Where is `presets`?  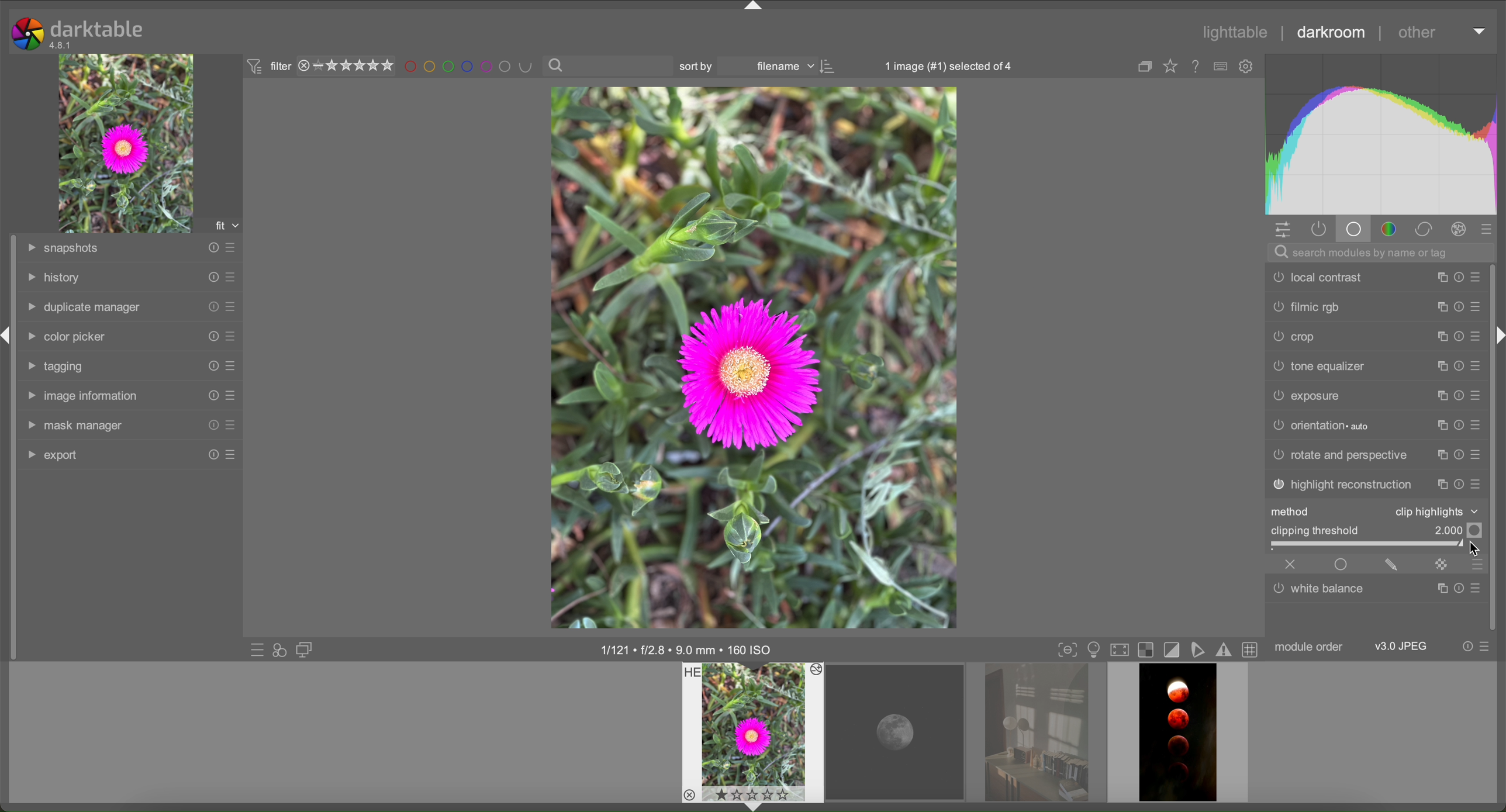
presets is located at coordinates (1478, 564).